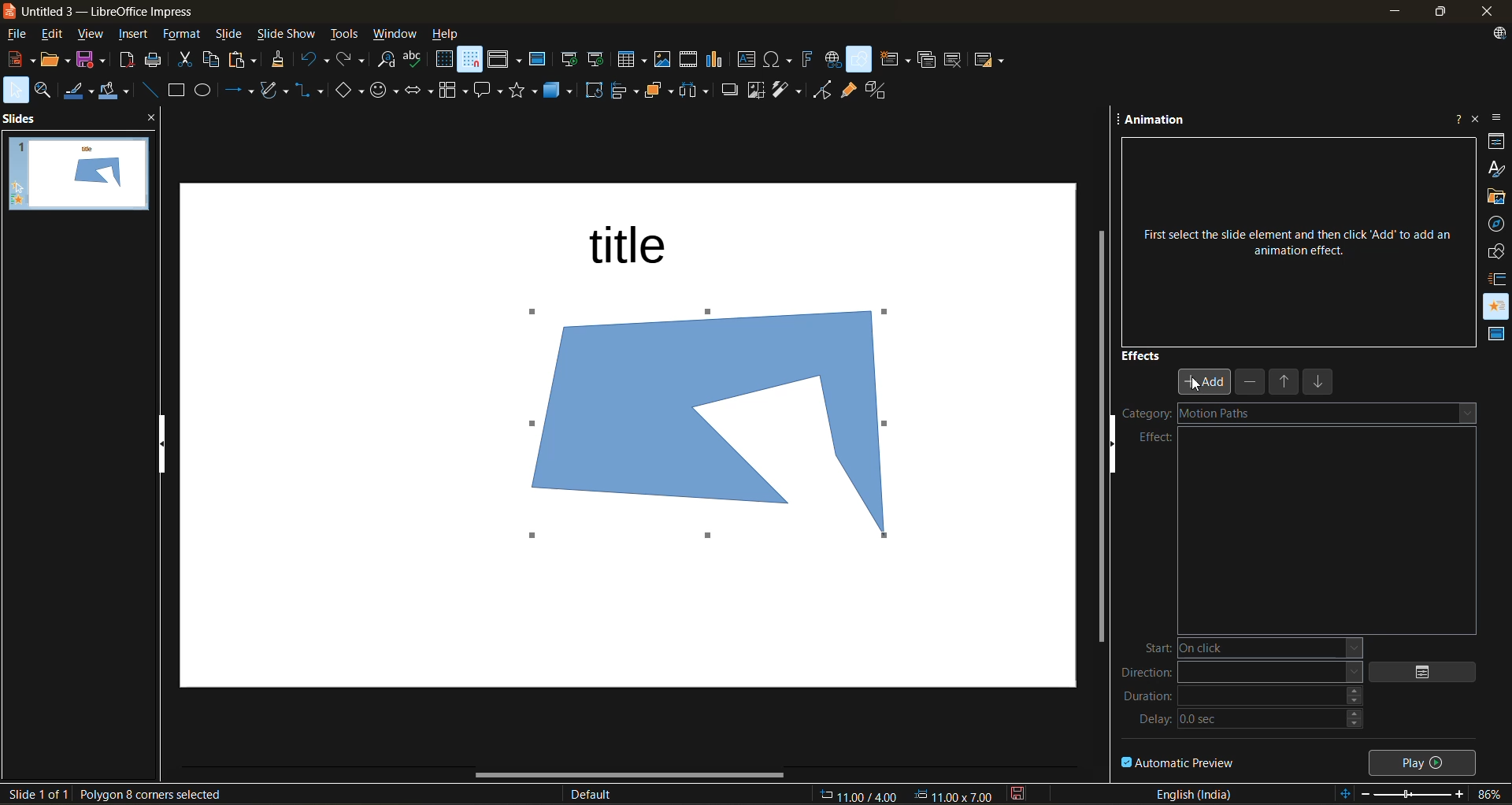  What do you see at coordinates (598, 61) in the screenshot?
I see `start from current slide` at bounding box center [598, 61].